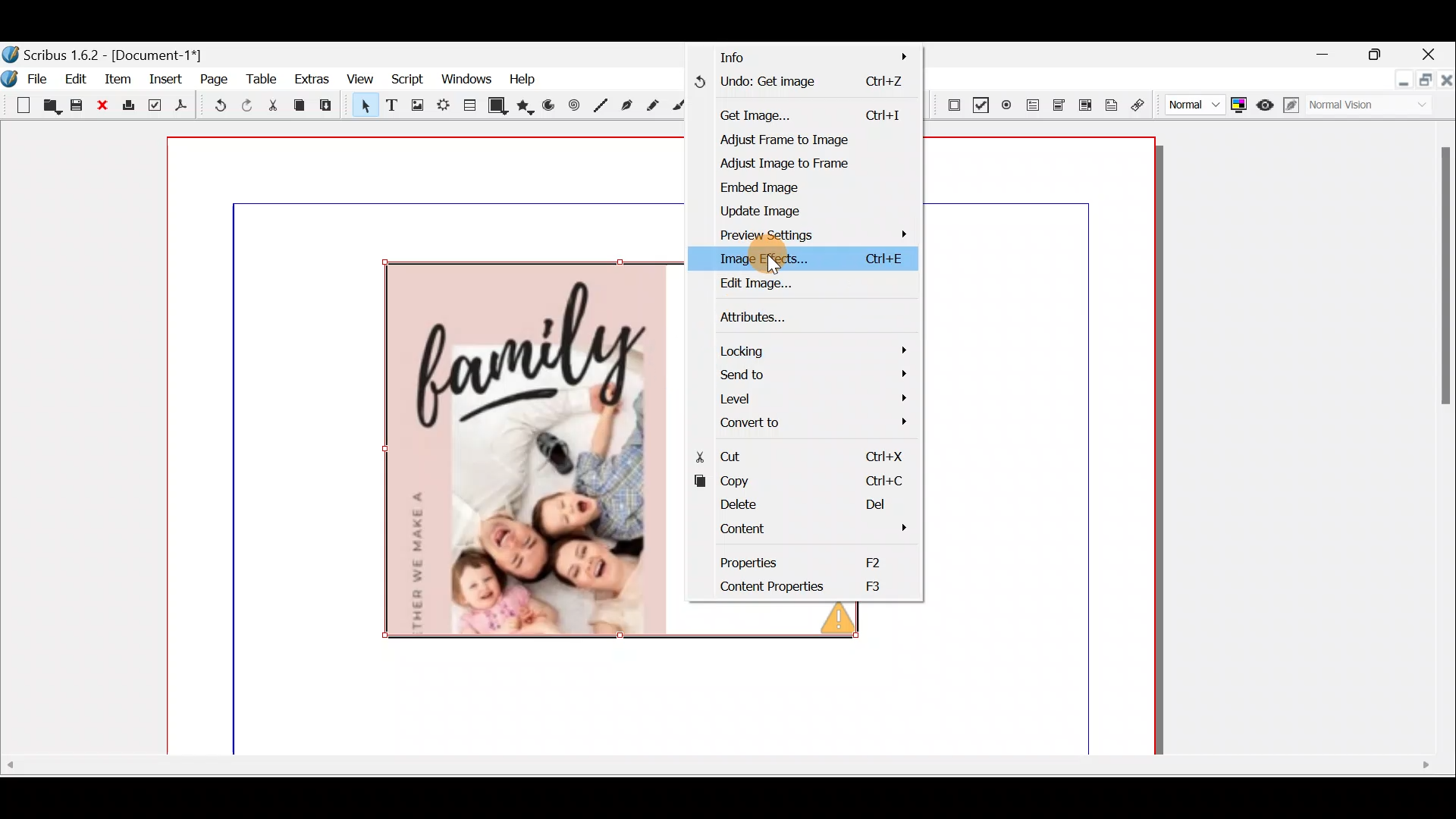  What do you see at coordinates (1402, 81) in the screenshot?
I see `Minimise` at bounding box center [1402, 81].